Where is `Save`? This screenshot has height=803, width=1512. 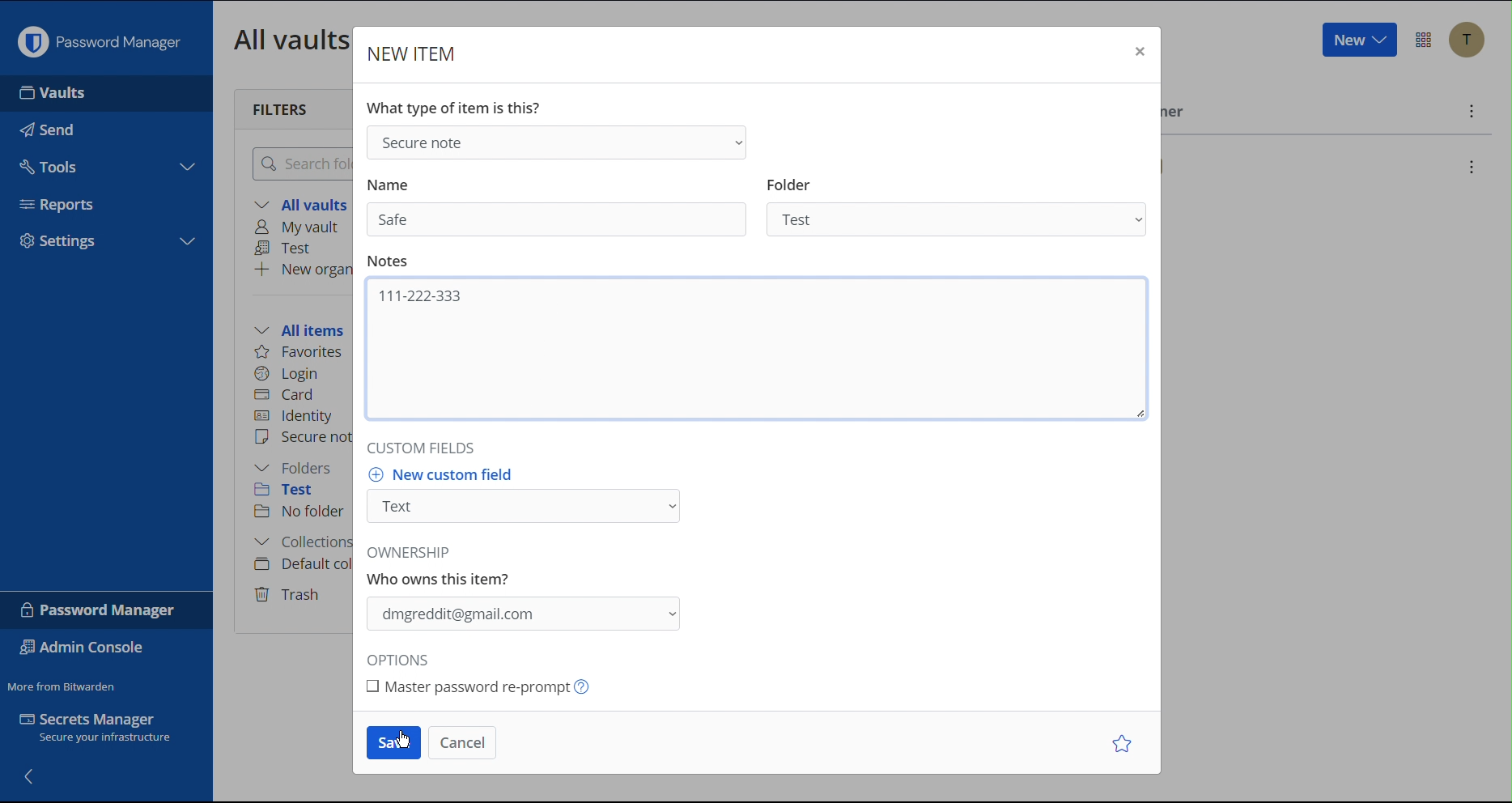 Save is located at coordinates (393, 743).